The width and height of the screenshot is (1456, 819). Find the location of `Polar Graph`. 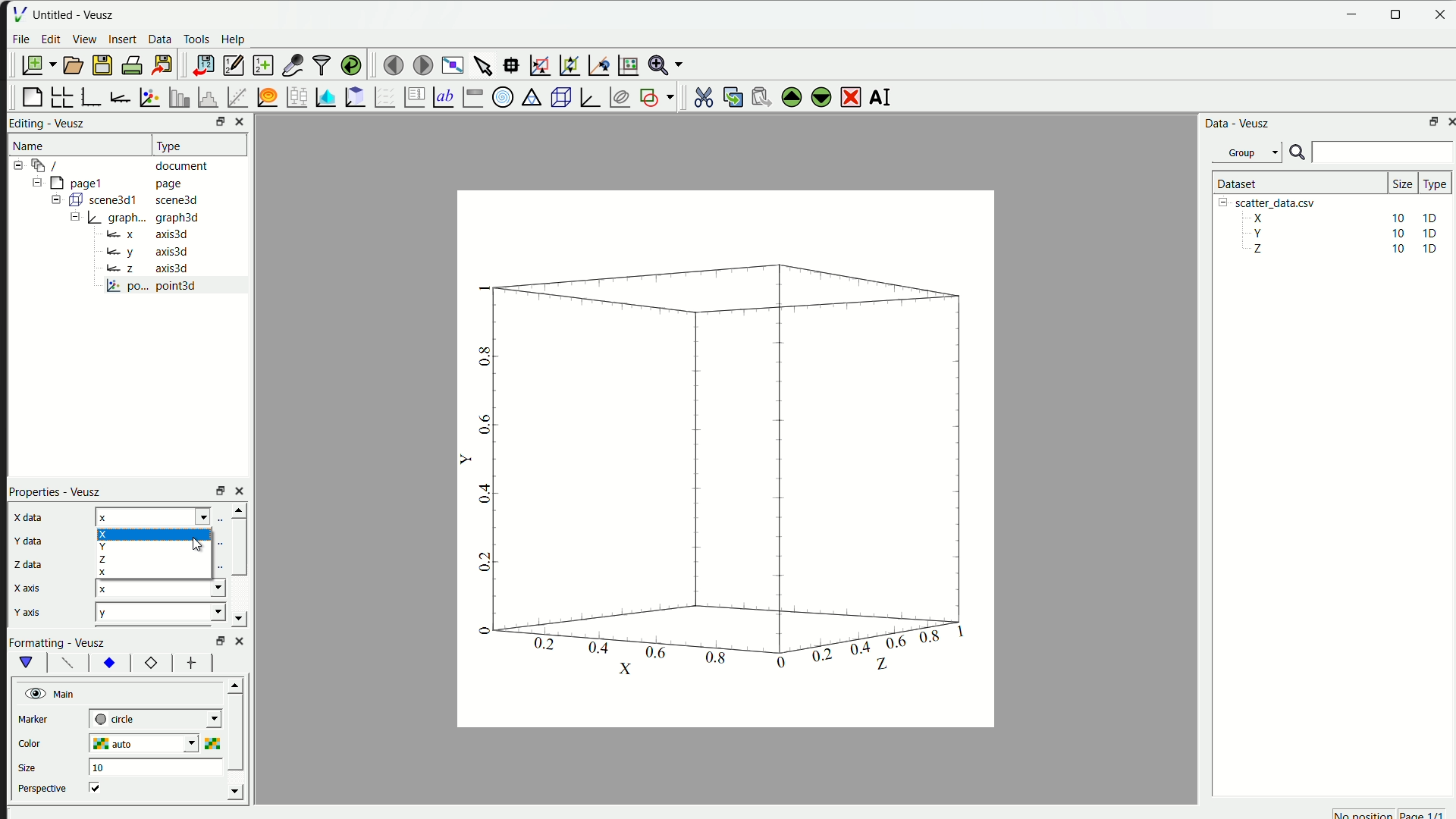

Polar Graph is located at coordinates (501, 97).